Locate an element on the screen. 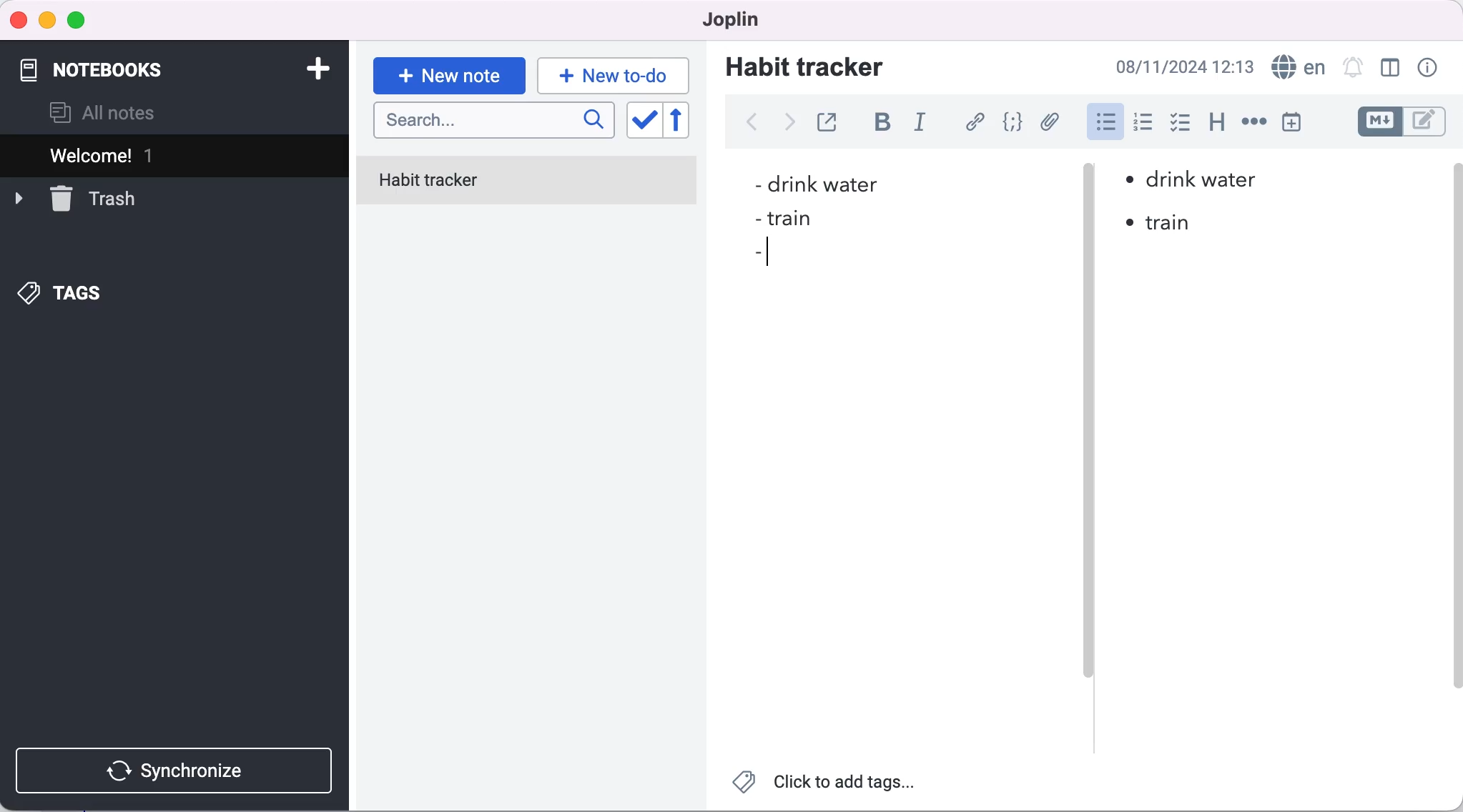 The image size is (1463, 812). trash is located at coordinates (75, 197).